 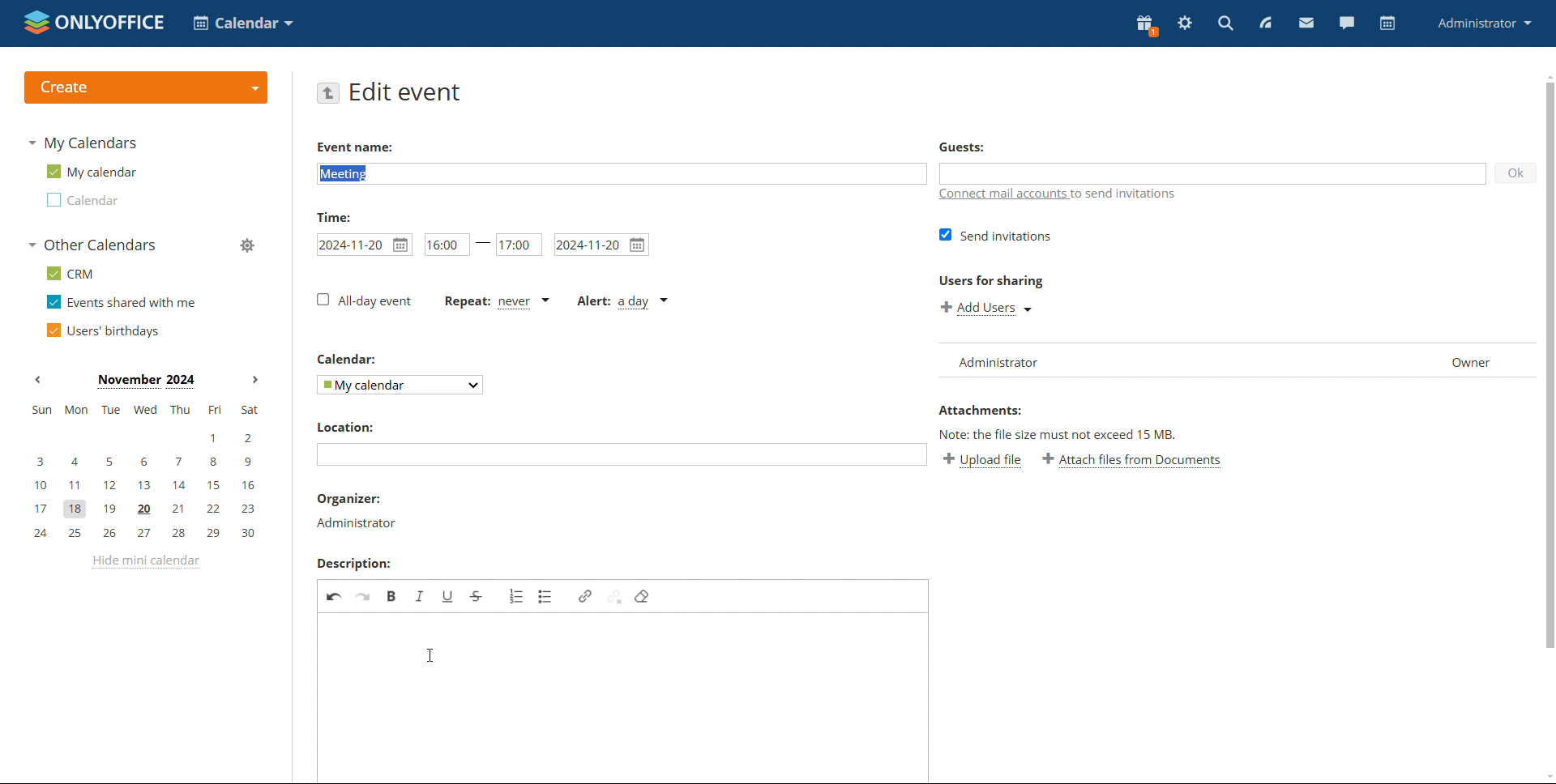 I want to click on my calendars, so click(x=83, y=143).